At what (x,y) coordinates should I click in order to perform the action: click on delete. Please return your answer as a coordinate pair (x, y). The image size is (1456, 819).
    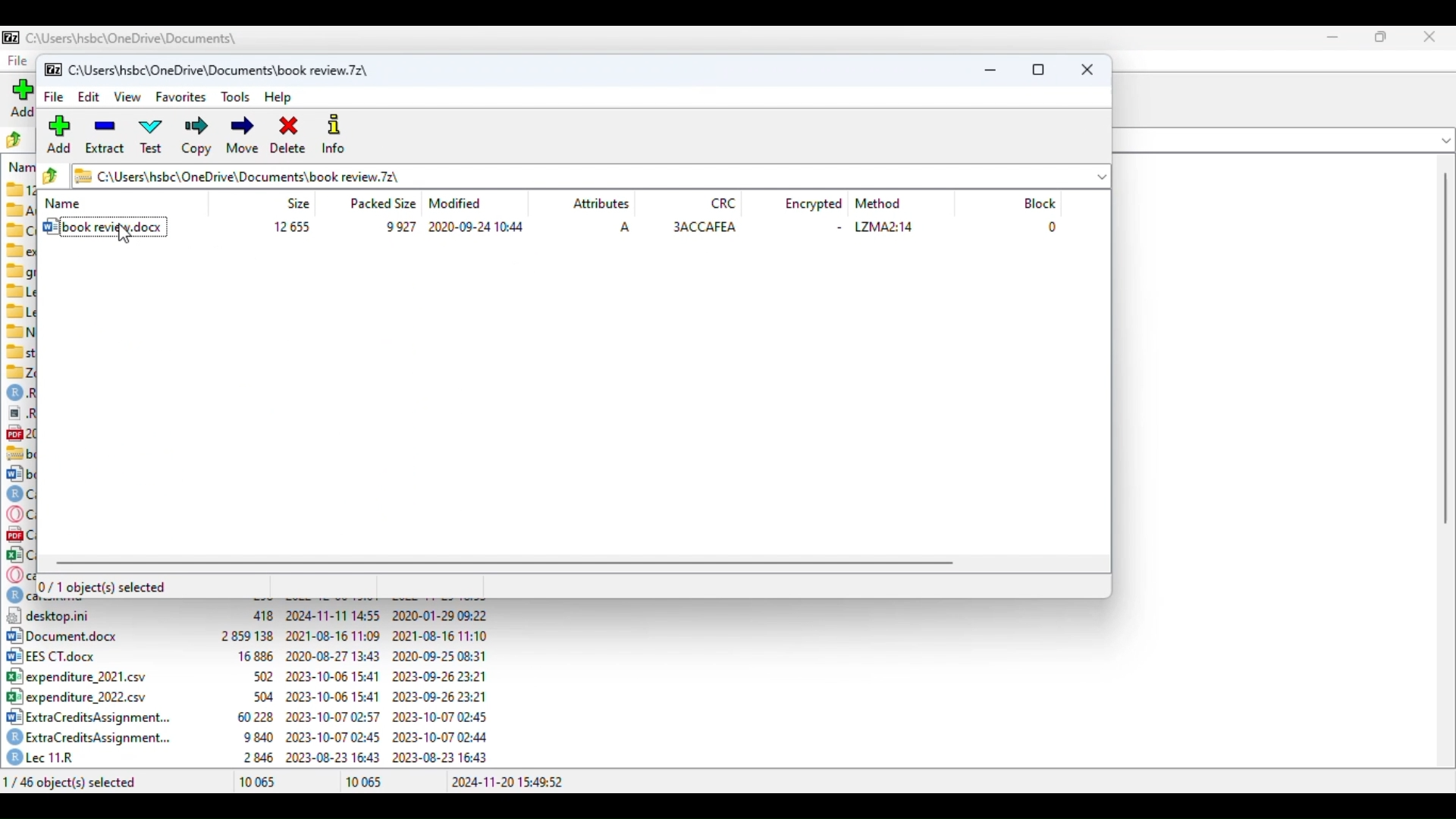
    Looking at the image, I should click on (290, 136).